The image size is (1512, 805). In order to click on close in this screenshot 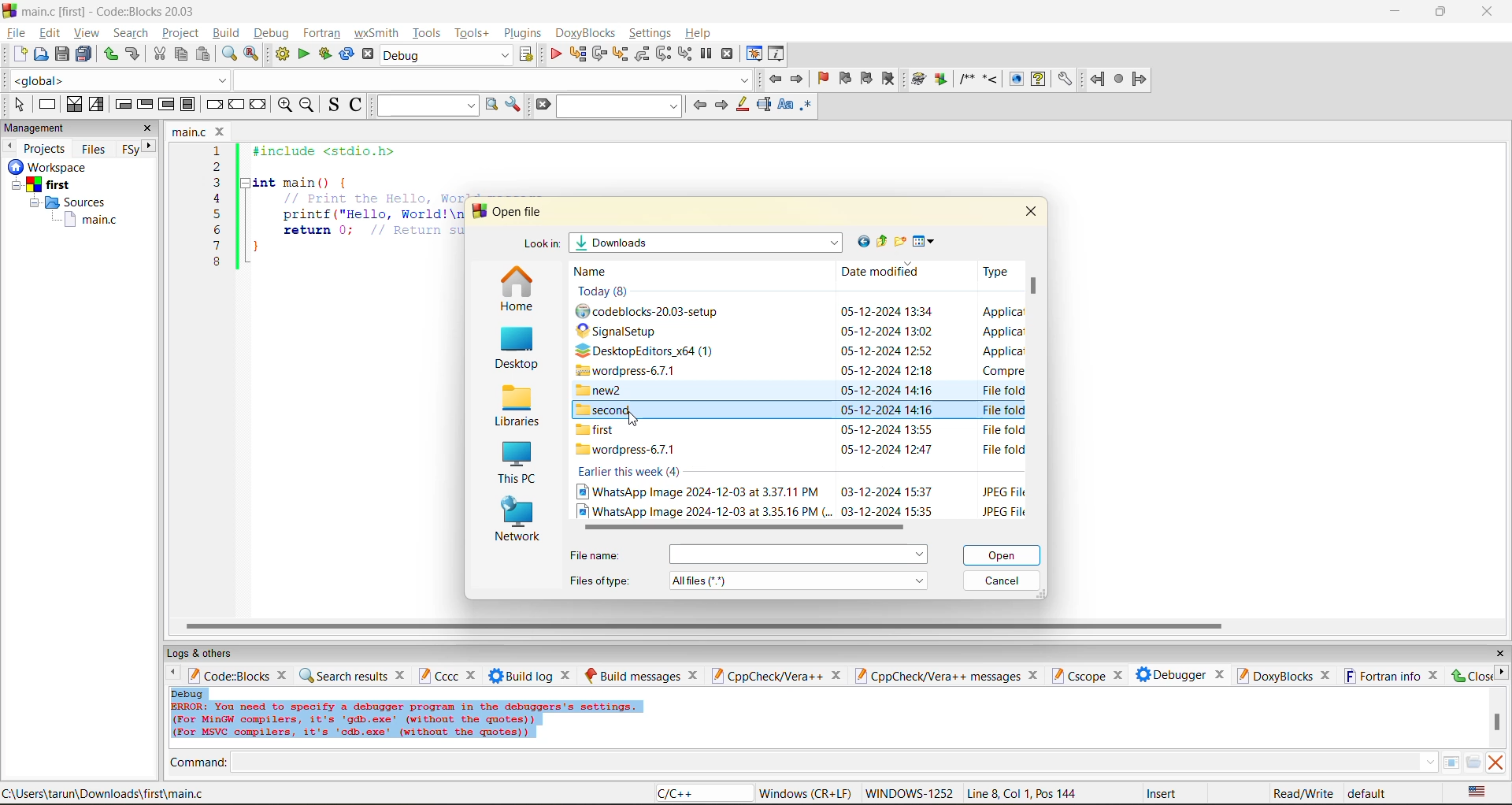, I will do `click(284, 674)`.